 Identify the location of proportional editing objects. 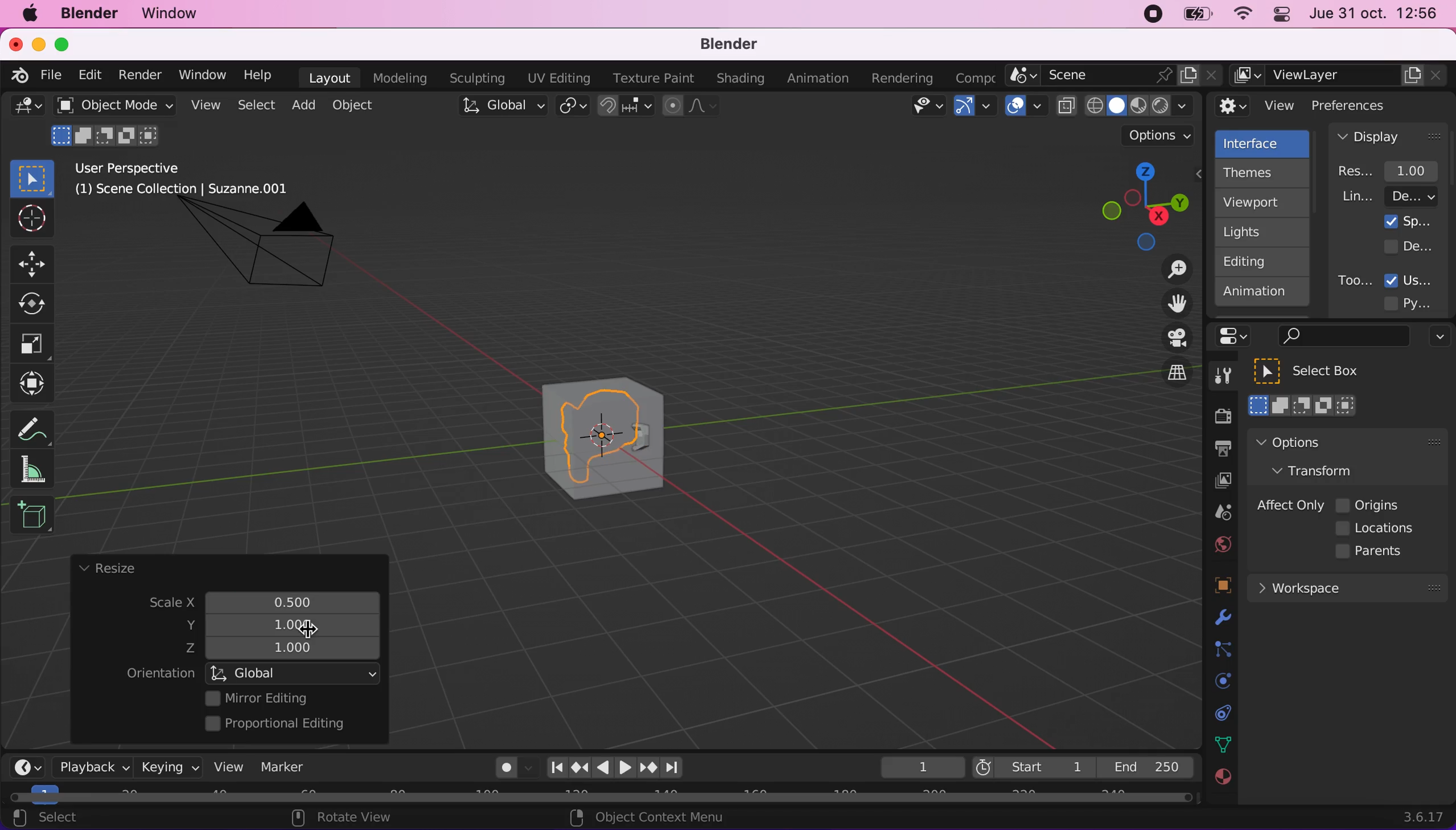
(692, 107).